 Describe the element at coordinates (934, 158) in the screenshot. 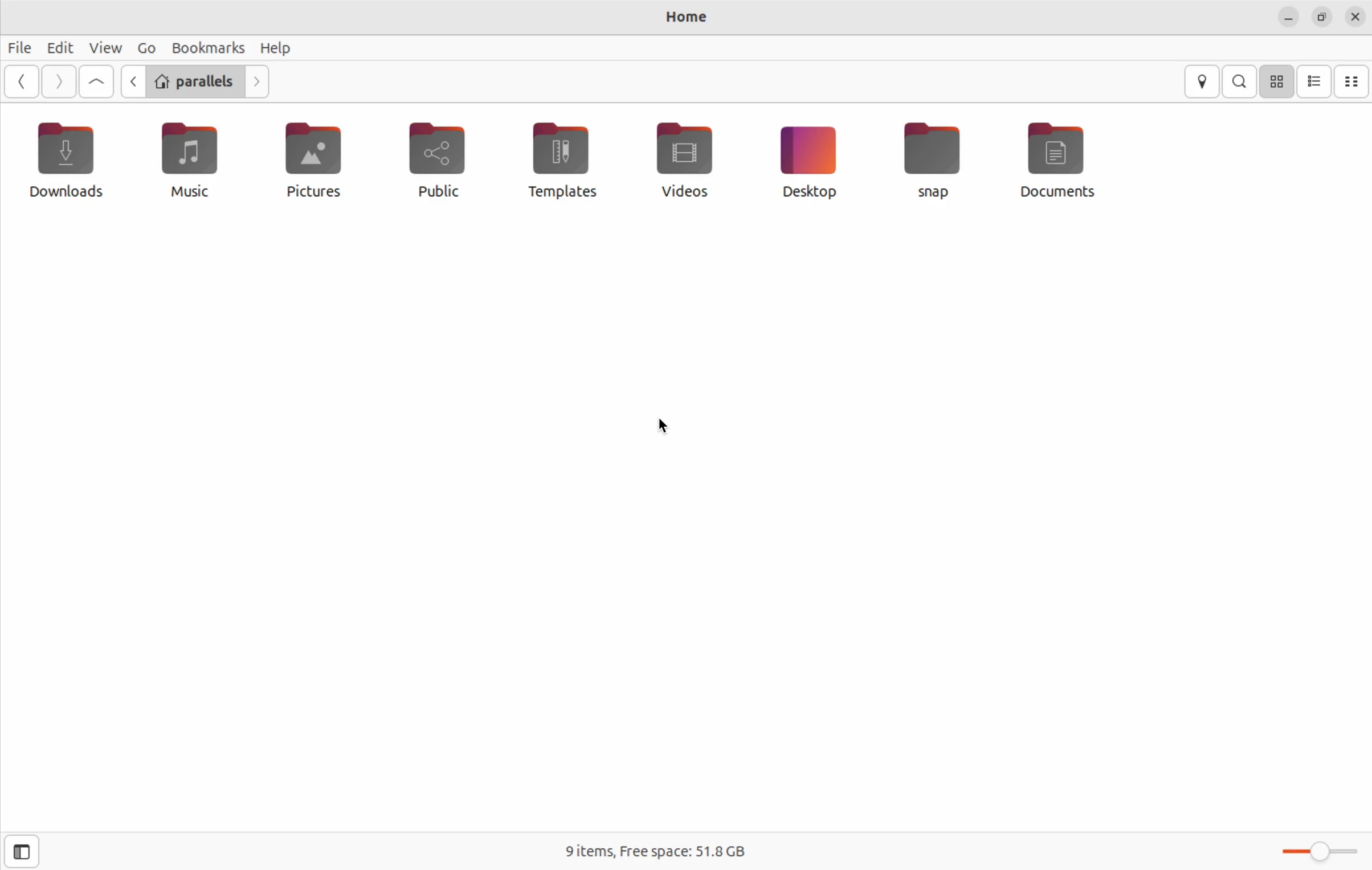

I see `snap` at that location.